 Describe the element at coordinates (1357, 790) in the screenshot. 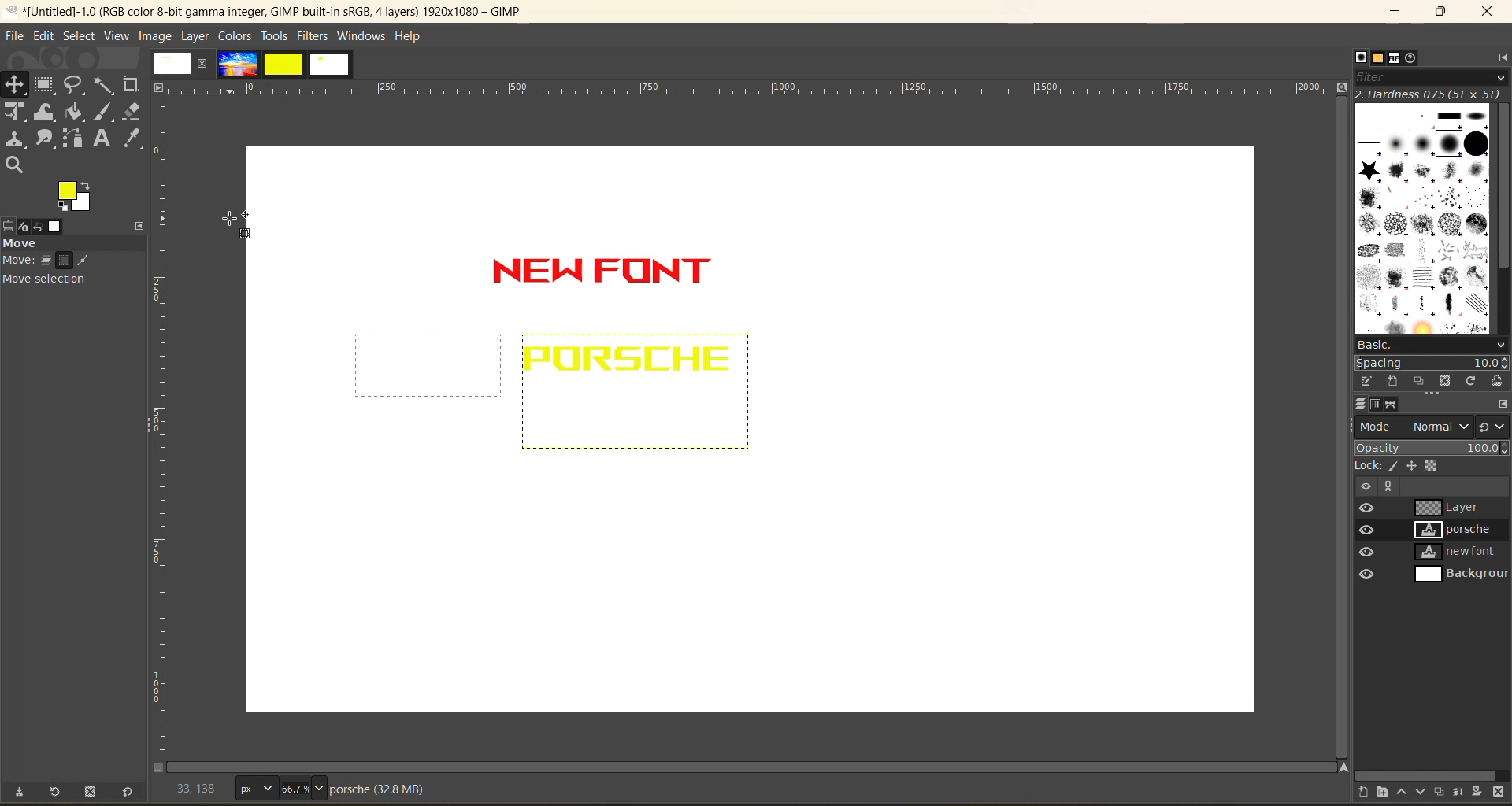

I see `create a new layer` at that location.